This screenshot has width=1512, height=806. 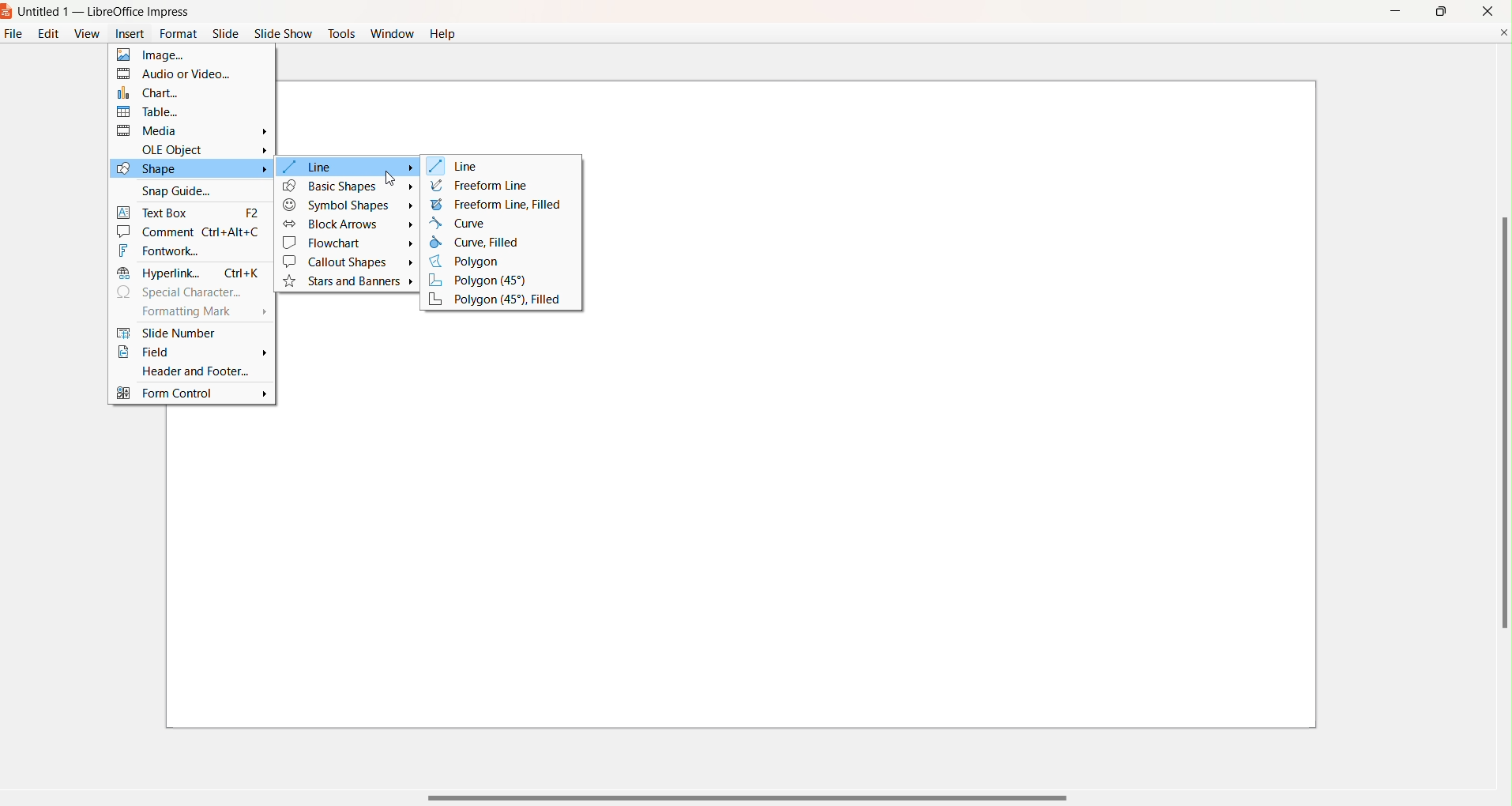 What do you see at coordinates (190, 210) in the screenshot?
I see `Text Box` at bounding box center [190, 210].